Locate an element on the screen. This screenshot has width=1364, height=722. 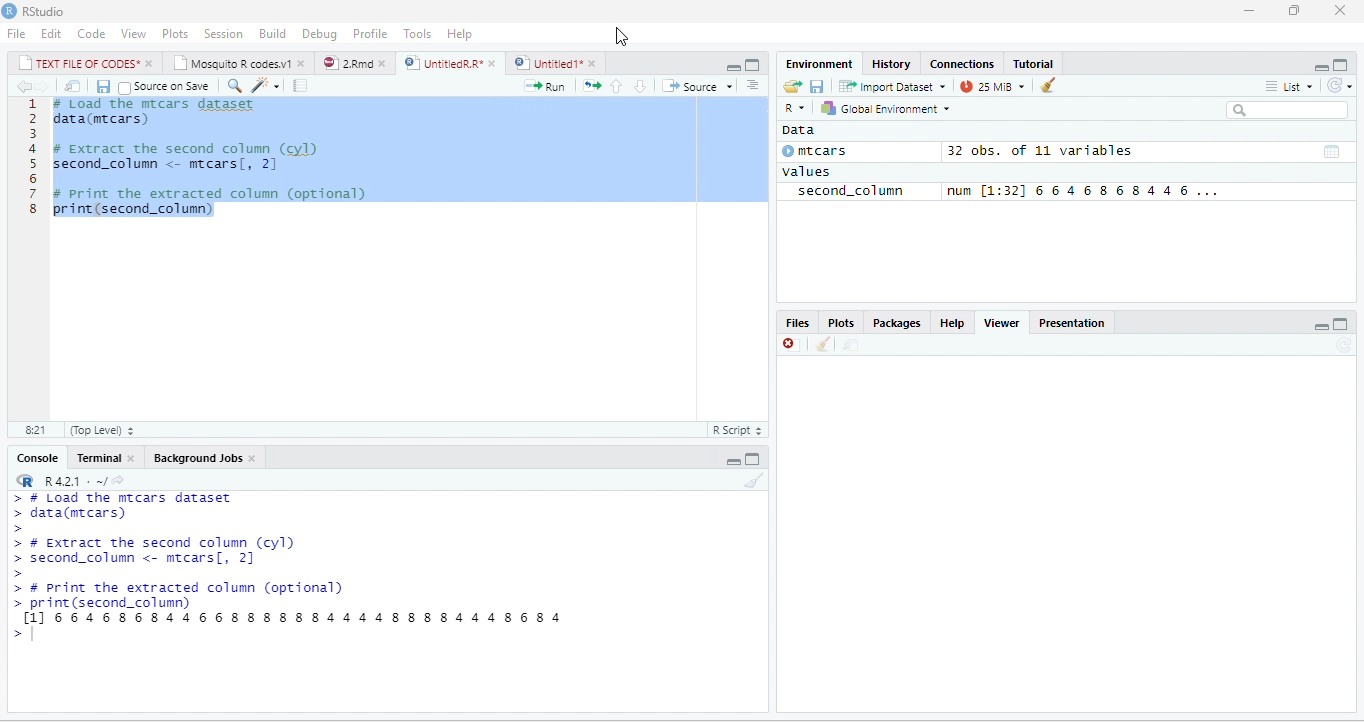
find/replace is located at coordinates (233, 85).